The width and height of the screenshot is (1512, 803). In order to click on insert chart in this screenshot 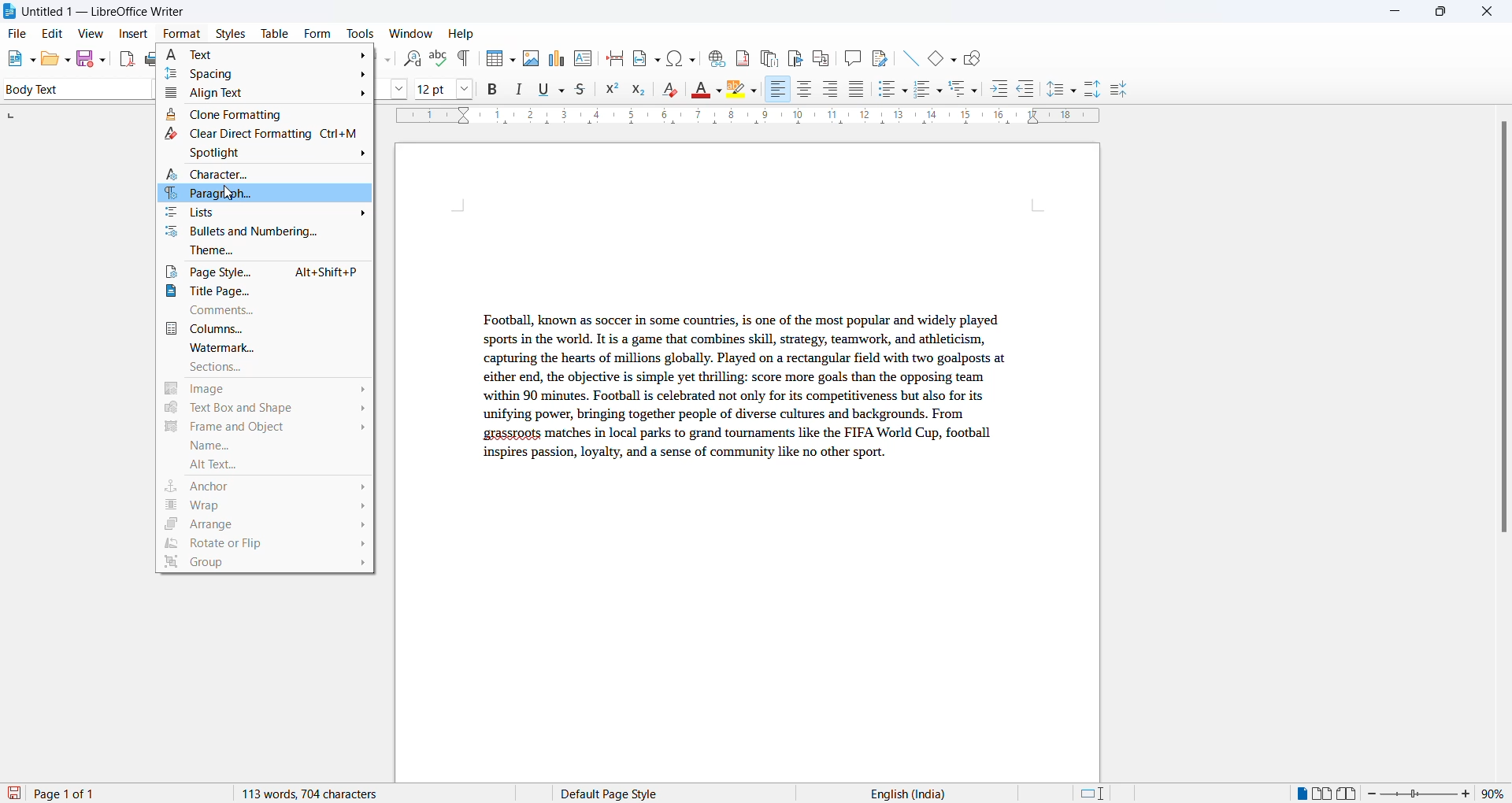, I will do `click(556, 60)`.